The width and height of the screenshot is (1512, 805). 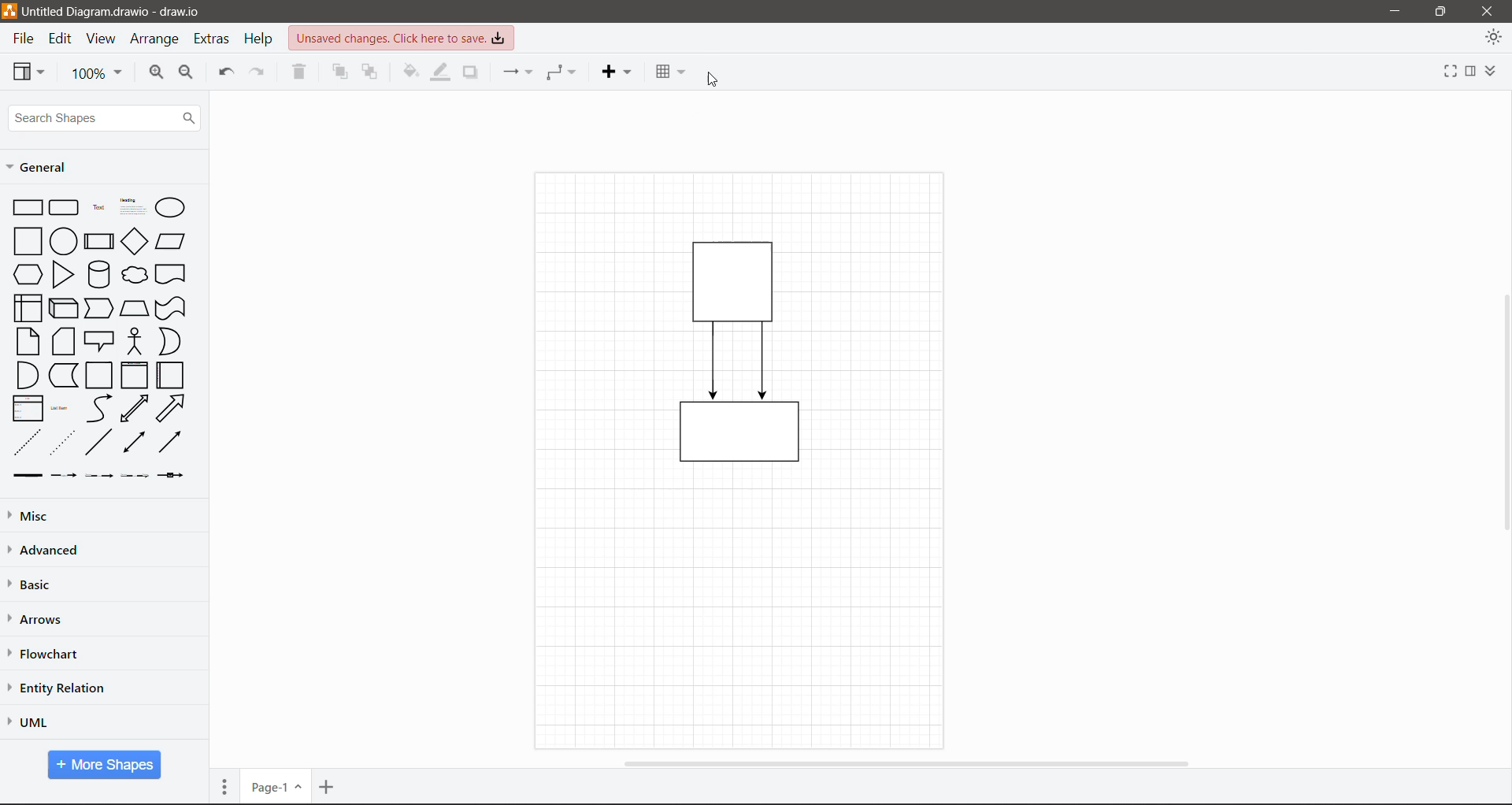 I want to click on Triangle, so click(x=63, y=274).